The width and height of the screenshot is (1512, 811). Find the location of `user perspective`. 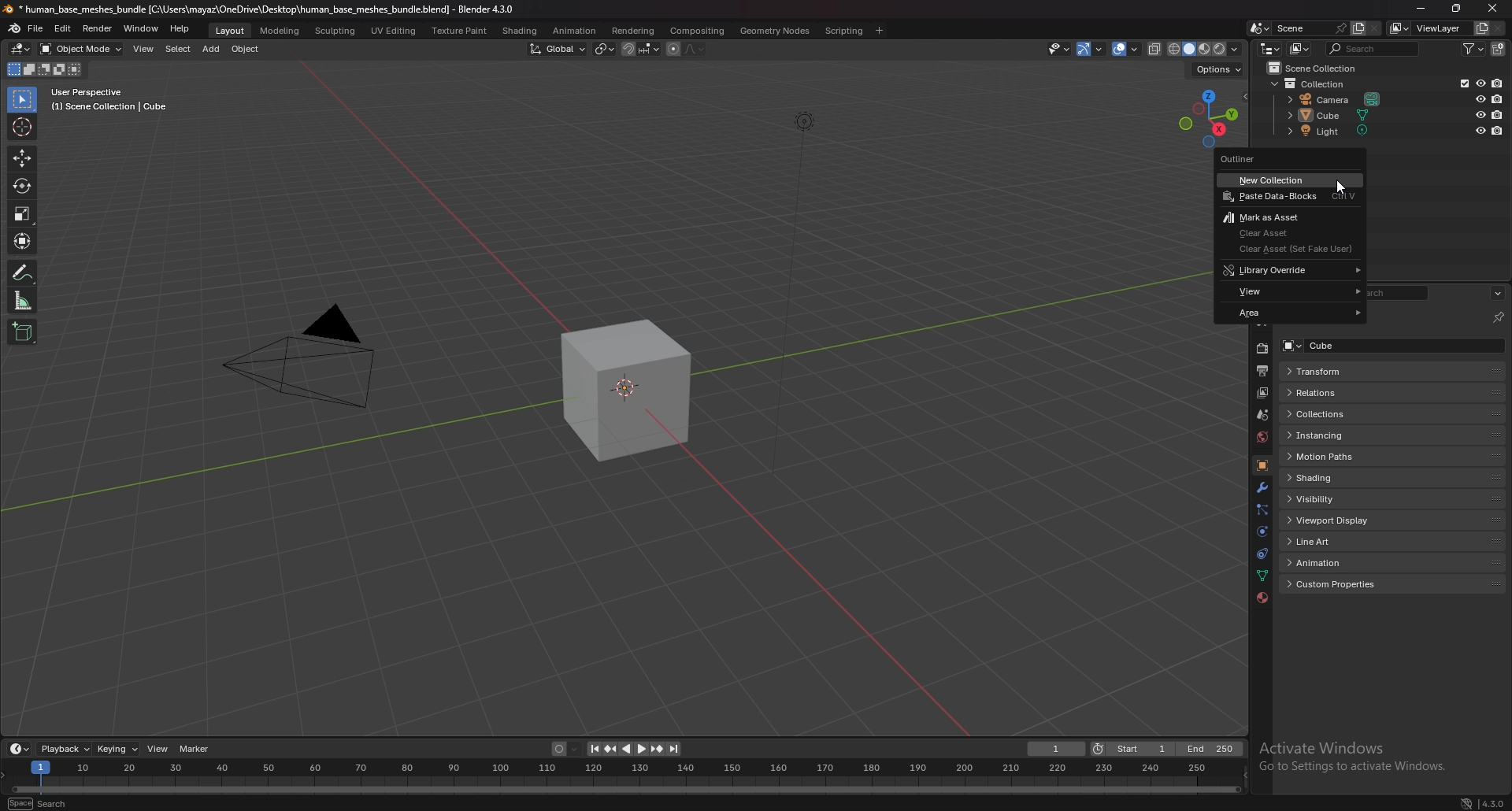

user perspective is located at coordinates (106, 100).